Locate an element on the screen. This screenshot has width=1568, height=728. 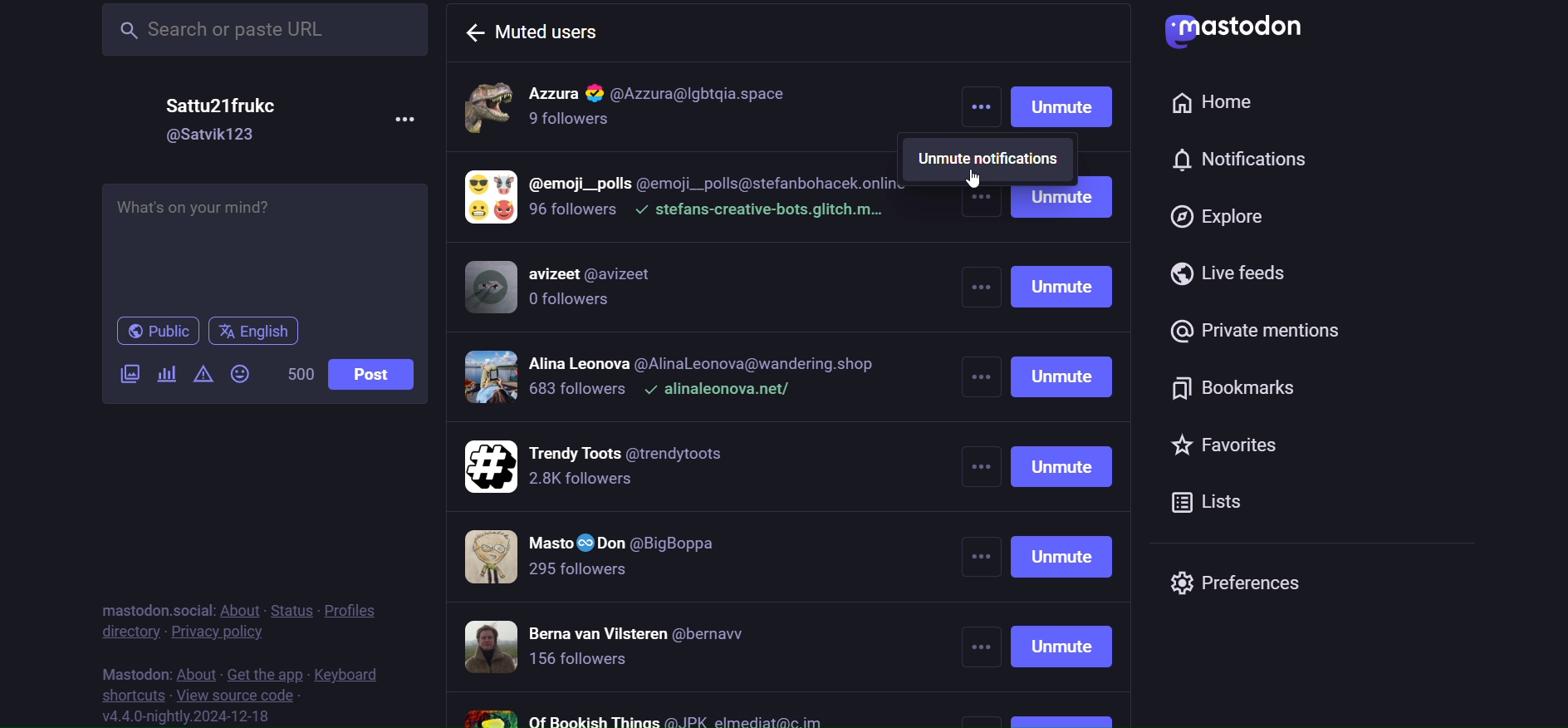
post is located at coordinates (377, 374).